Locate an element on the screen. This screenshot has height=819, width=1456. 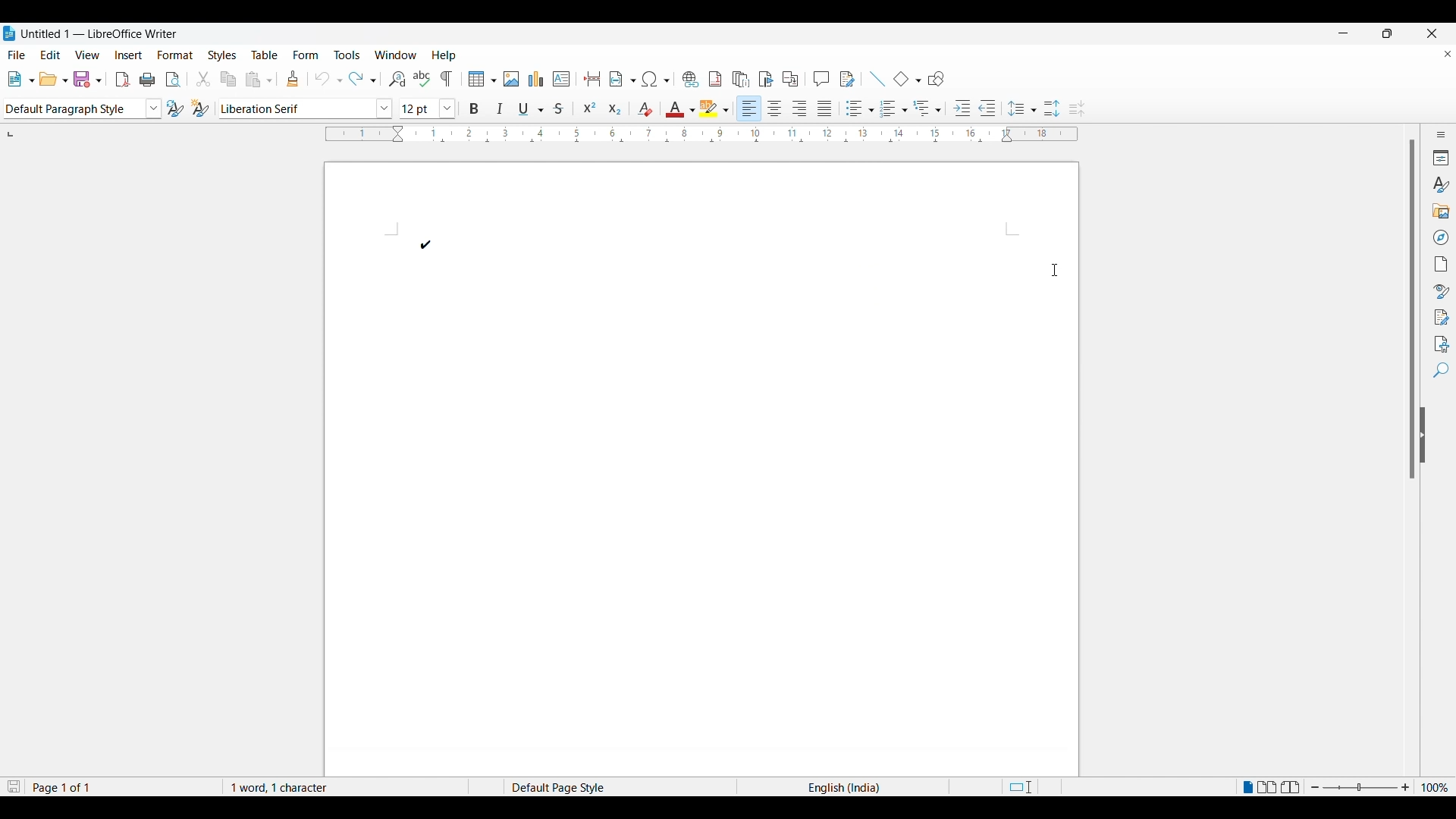
save document is located at coordinates (87, 78).